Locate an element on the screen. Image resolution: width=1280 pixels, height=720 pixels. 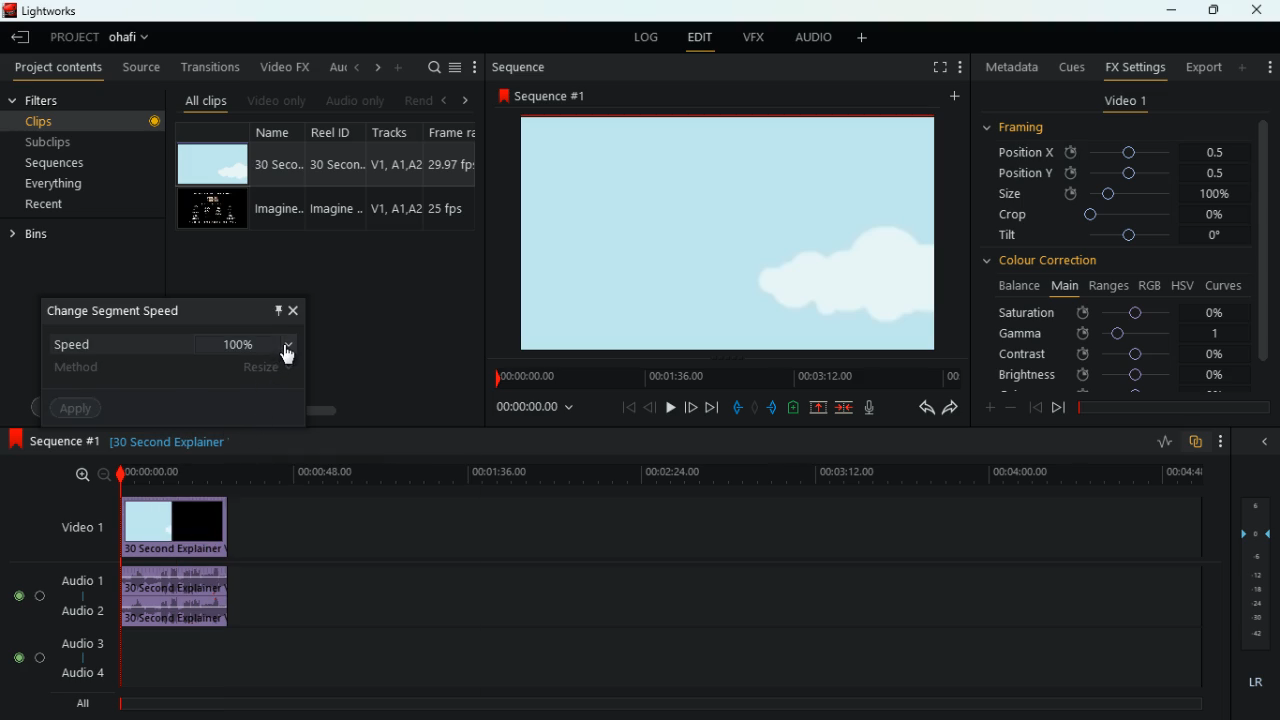
recent is located at coordinates (66, 206).